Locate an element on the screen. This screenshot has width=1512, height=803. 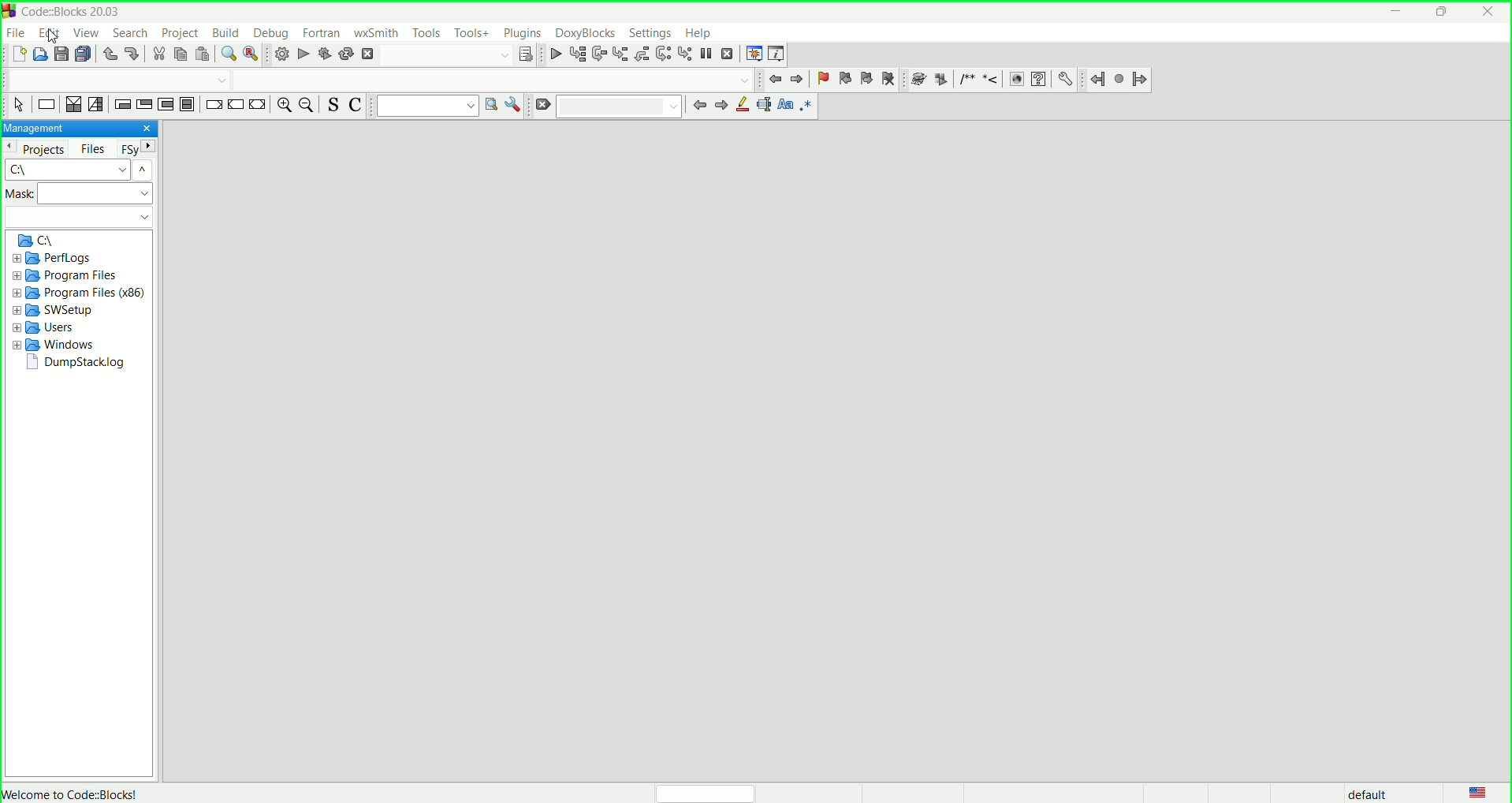
toggle source is located at coordinates (331, 106).